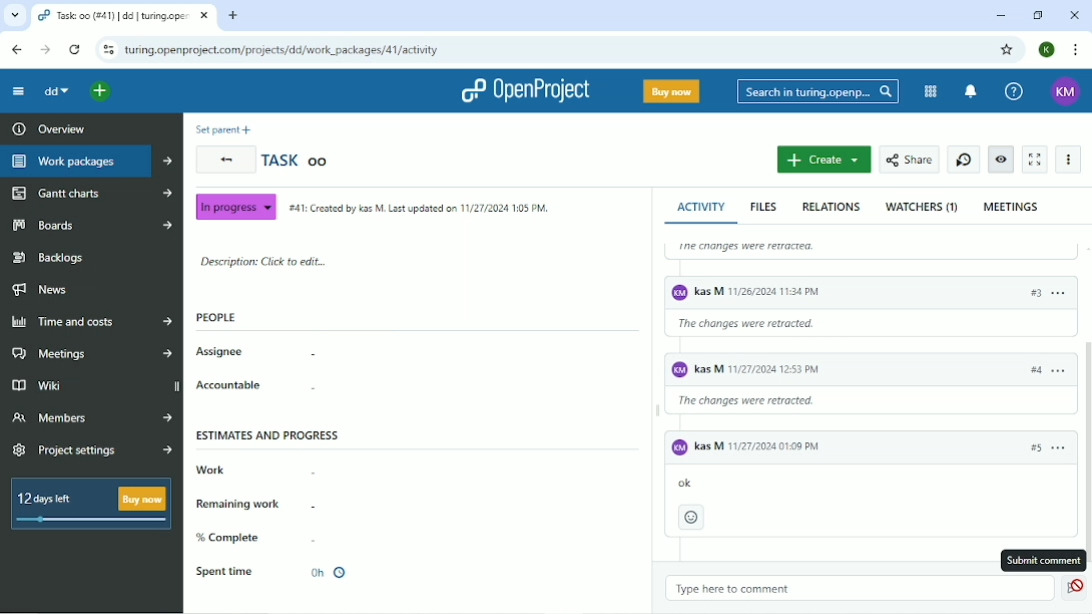 The height and width of the screenshot is (614, 1092). What do you see at coordinates (122, 16) in the screenshot?
I see `All open | dd | turing.openproject.com` at bounding box center [122, 16].